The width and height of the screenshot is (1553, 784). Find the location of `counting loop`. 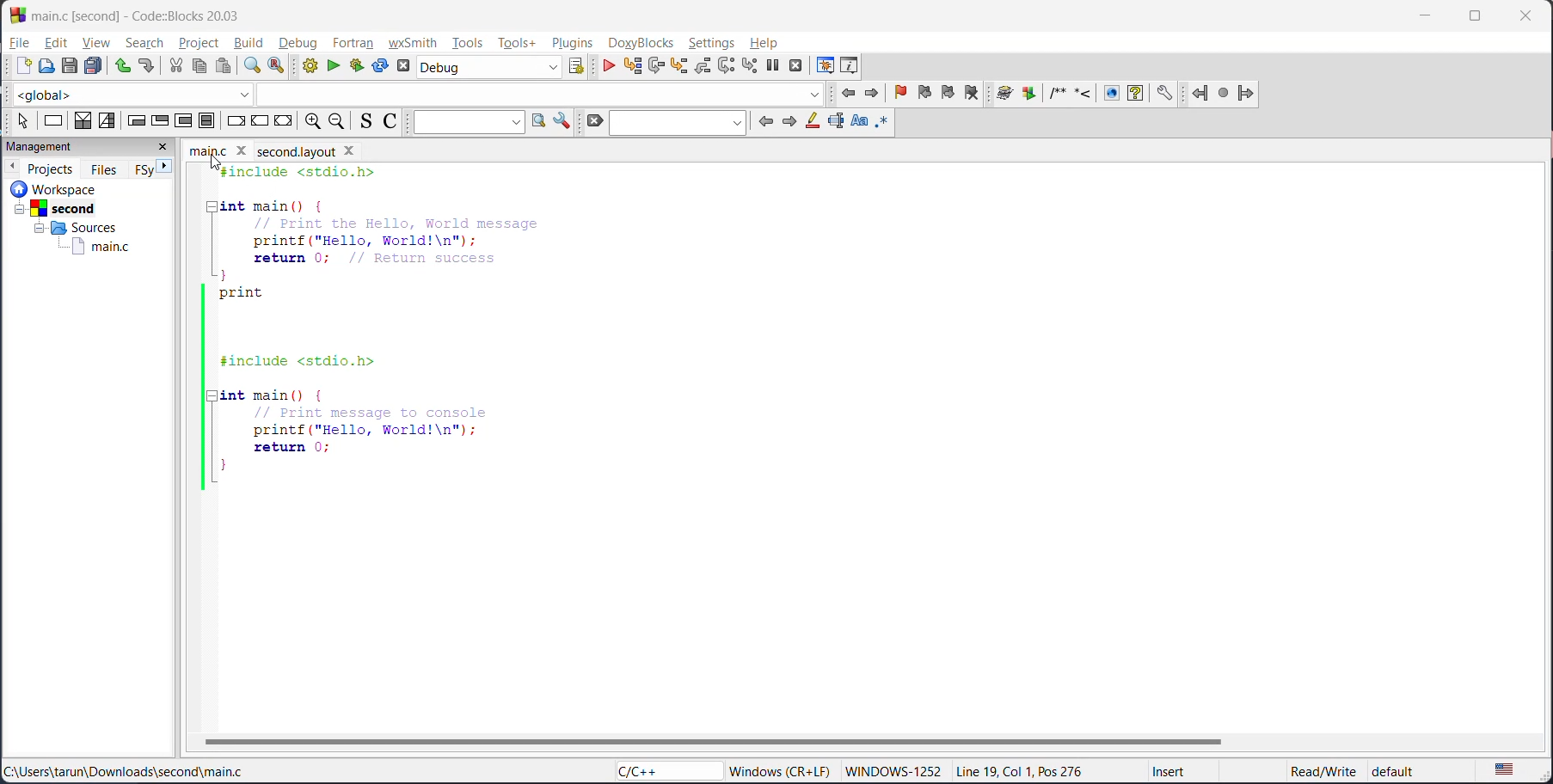

counting loop is located at coordinates (185, 121).